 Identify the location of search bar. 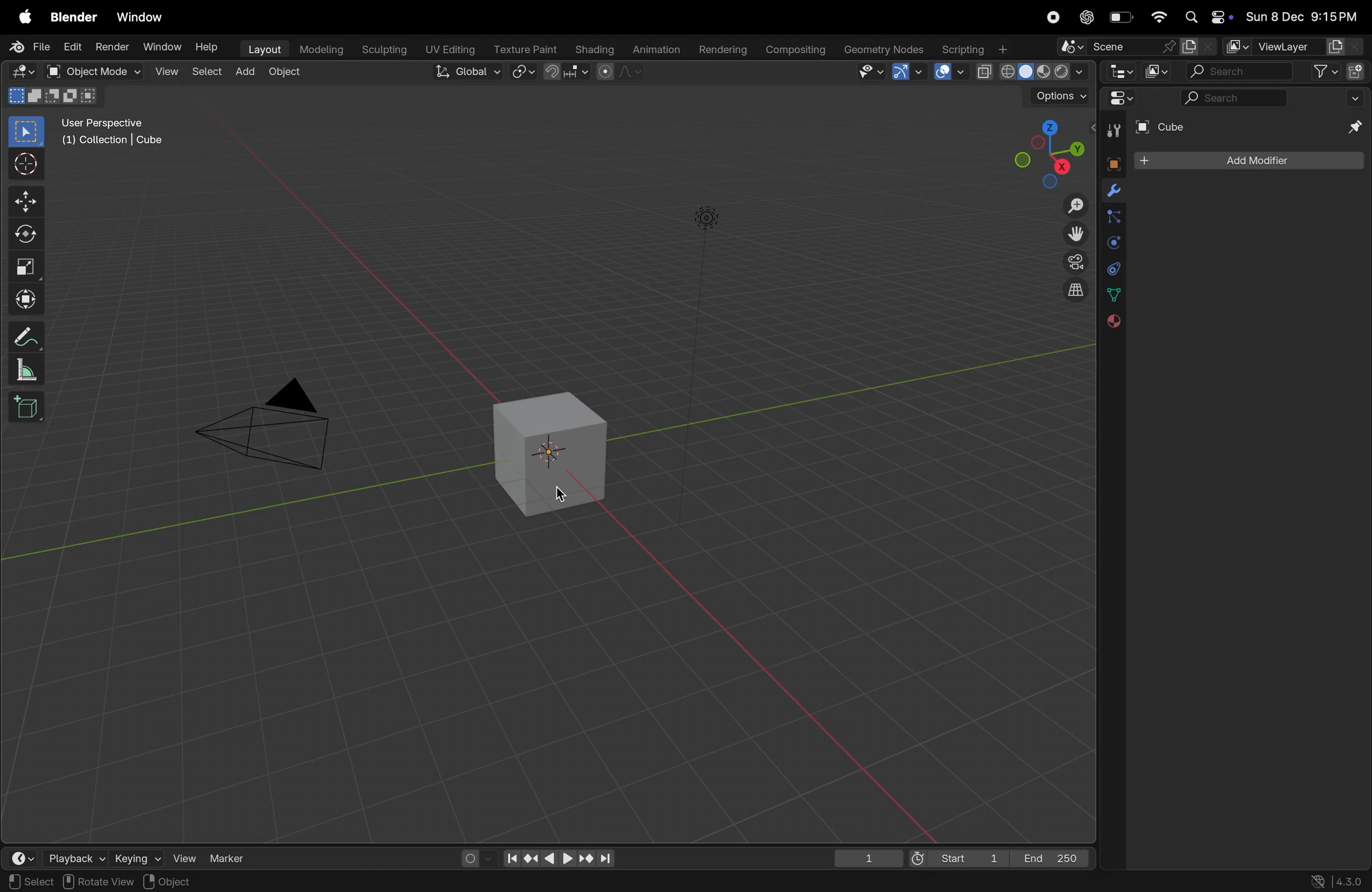
(1238, 73).